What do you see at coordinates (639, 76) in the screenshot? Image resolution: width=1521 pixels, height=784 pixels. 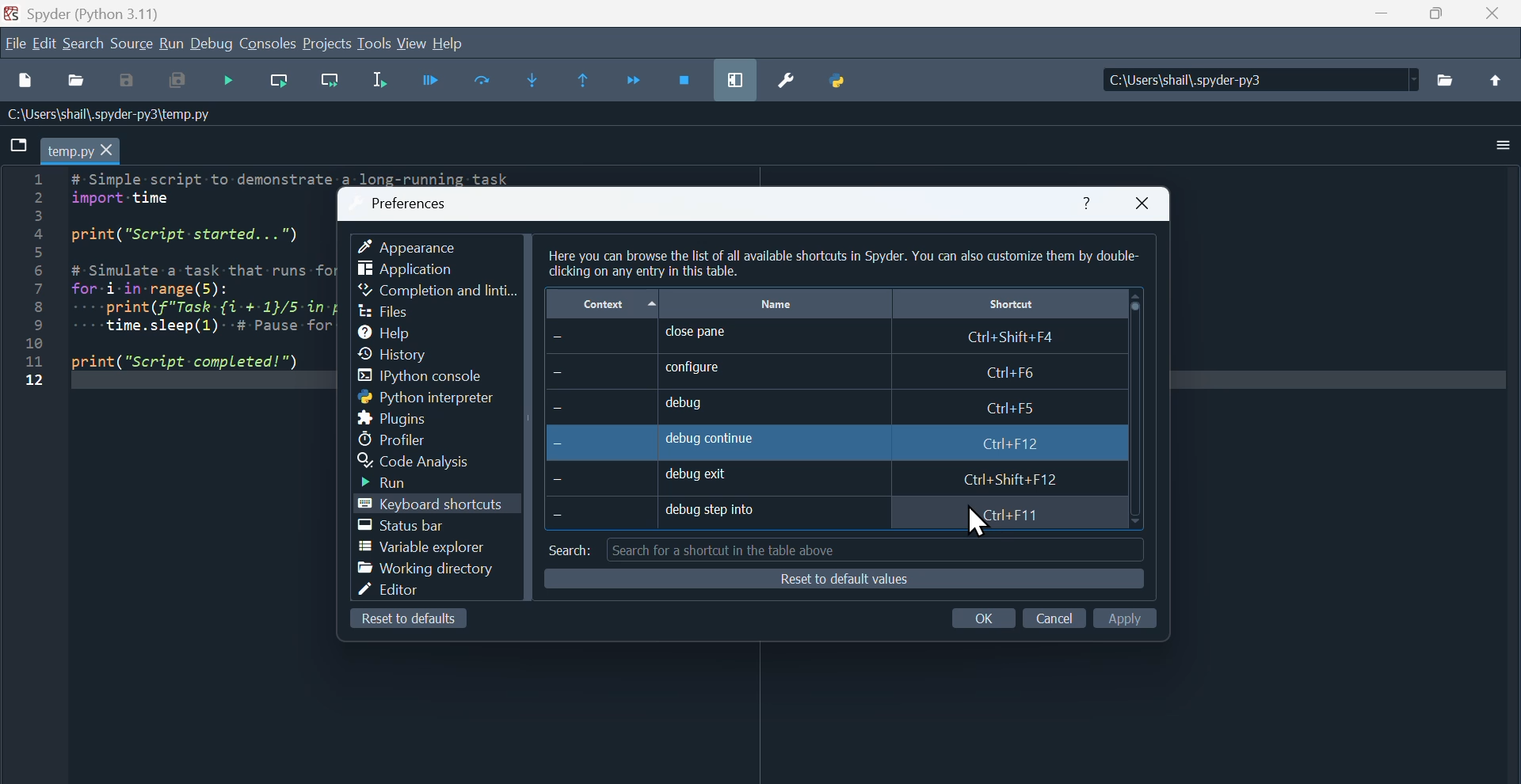 I see `Continue execution until next function` at bounding box center [639, 76].